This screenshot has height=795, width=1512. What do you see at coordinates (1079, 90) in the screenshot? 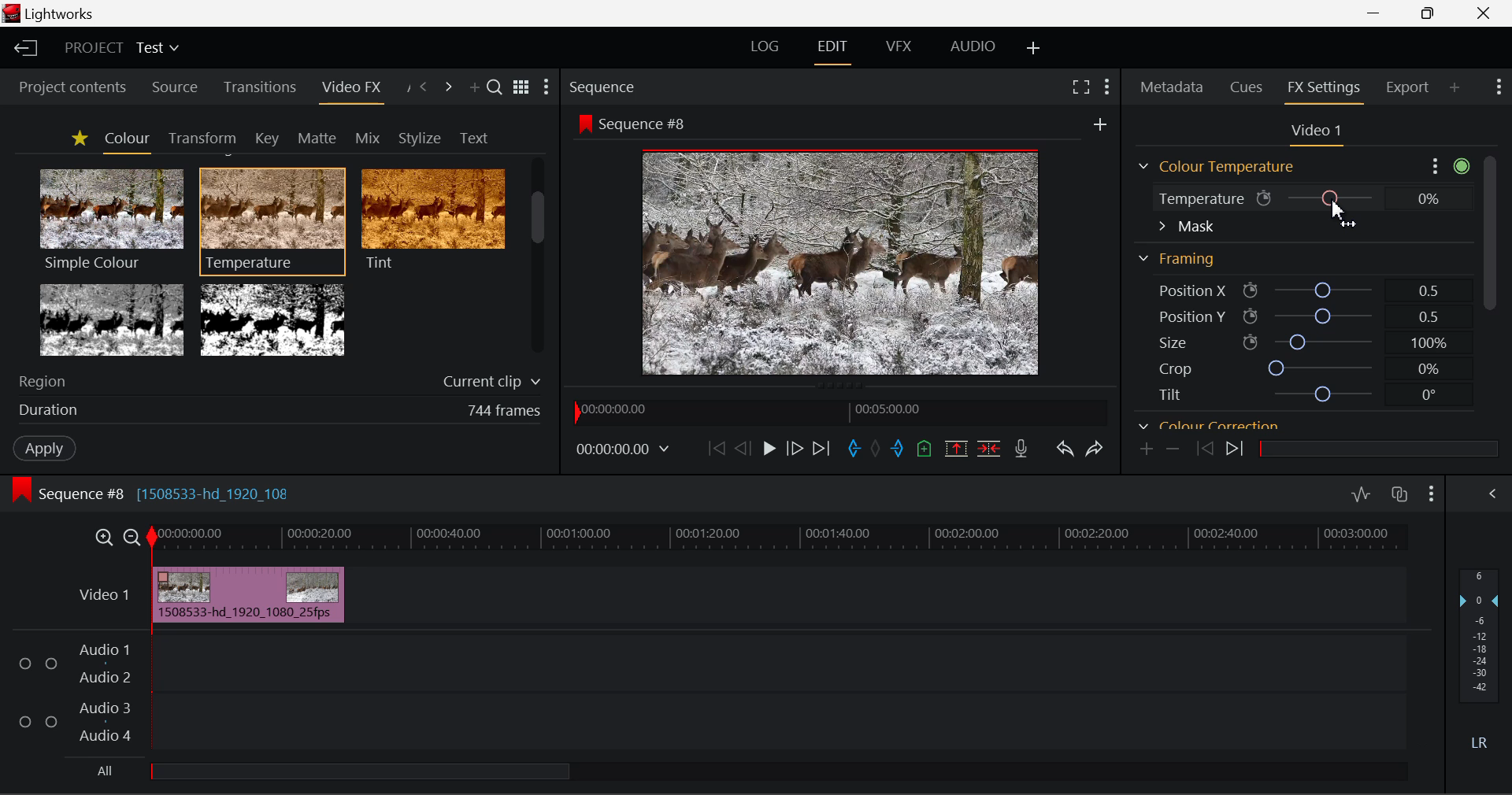
I see `Full Screen` at bounding box center [1079, 90].